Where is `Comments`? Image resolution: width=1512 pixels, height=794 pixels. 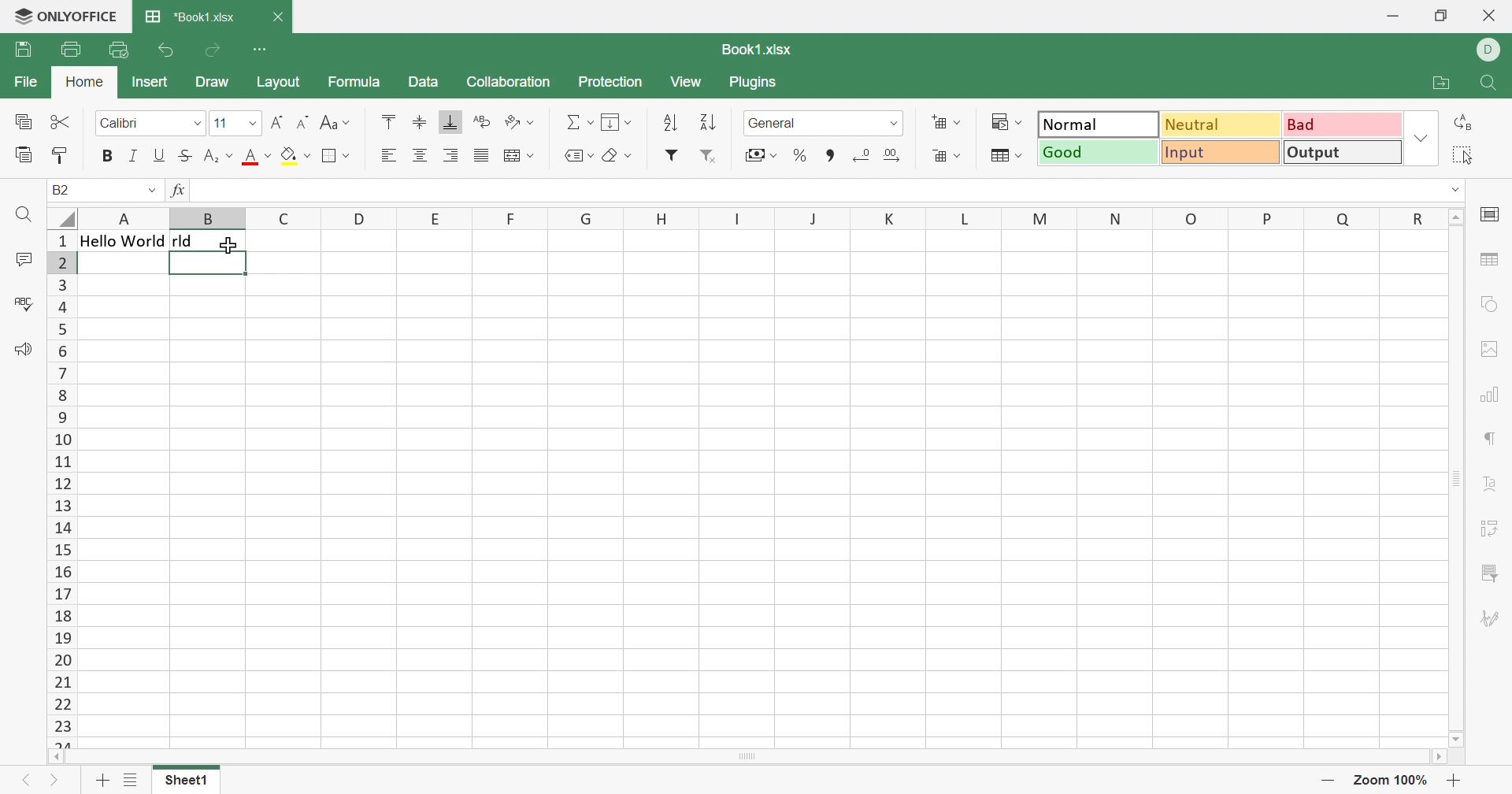 Comments is located at coordinates (24, 260).